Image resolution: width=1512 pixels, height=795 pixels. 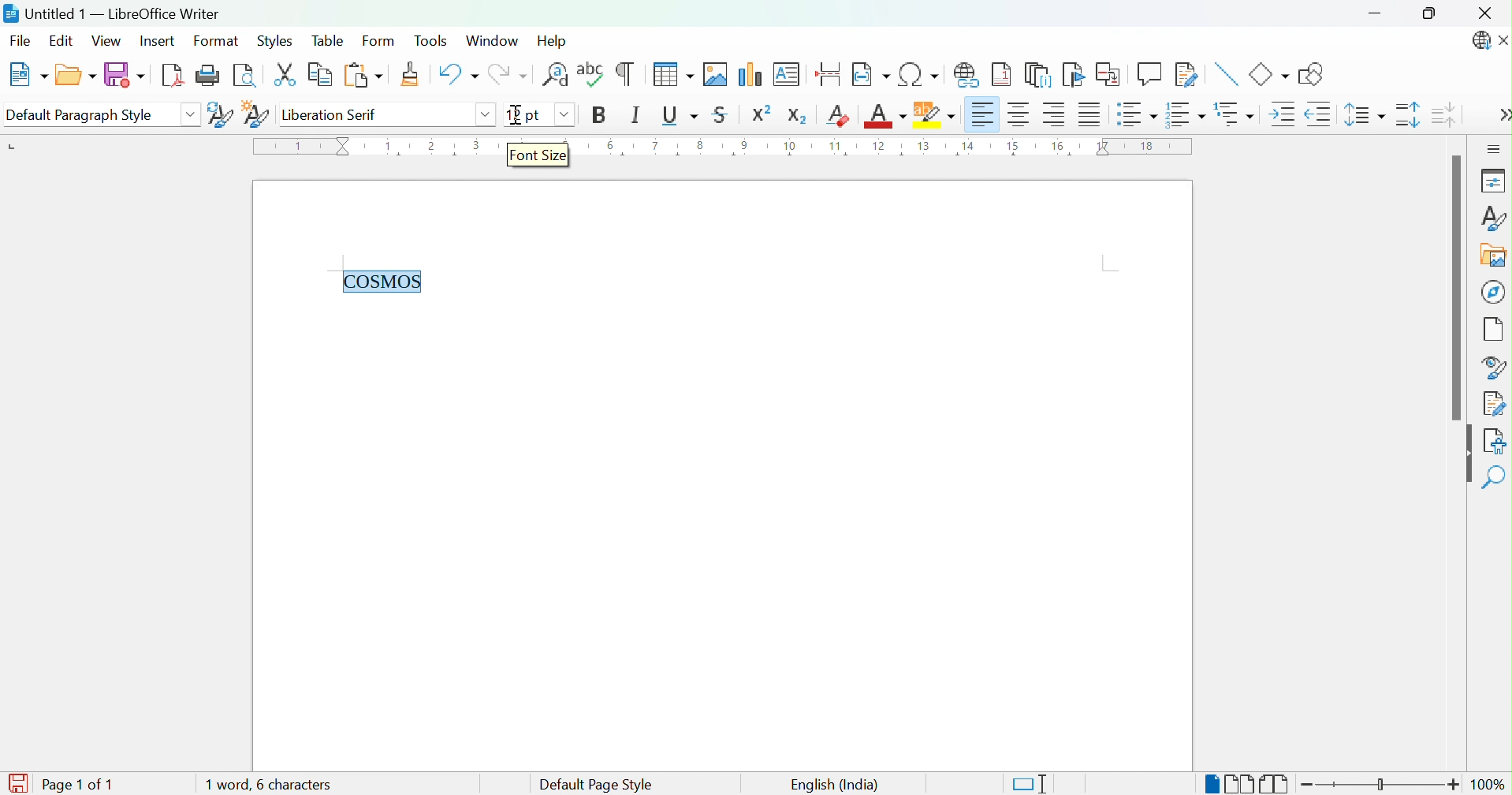 I want to click on Edit, so click(x=61, y=41).